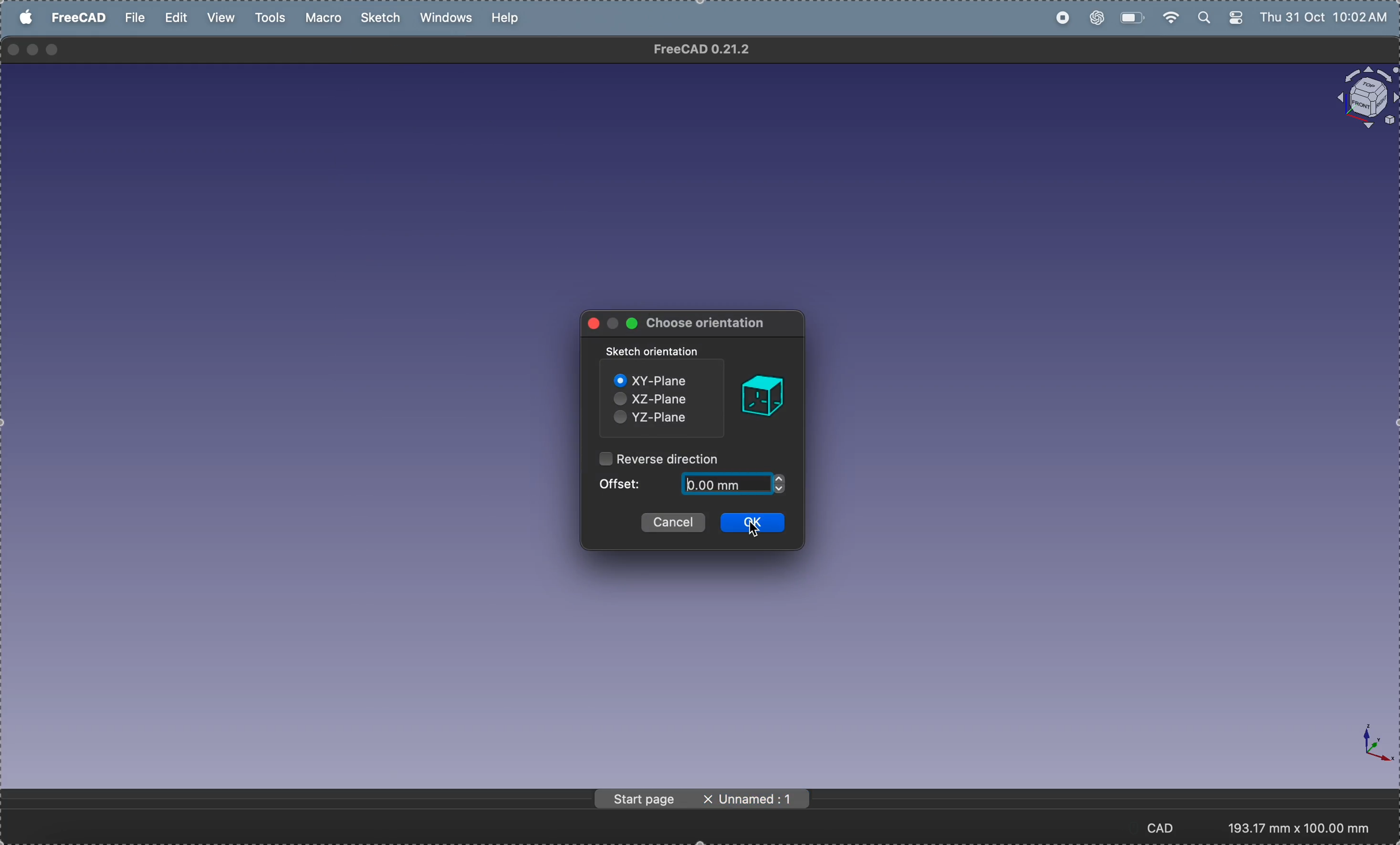 This screenshot has height=845, width=1400. I want to click on Checkbox, so click(617, 419).